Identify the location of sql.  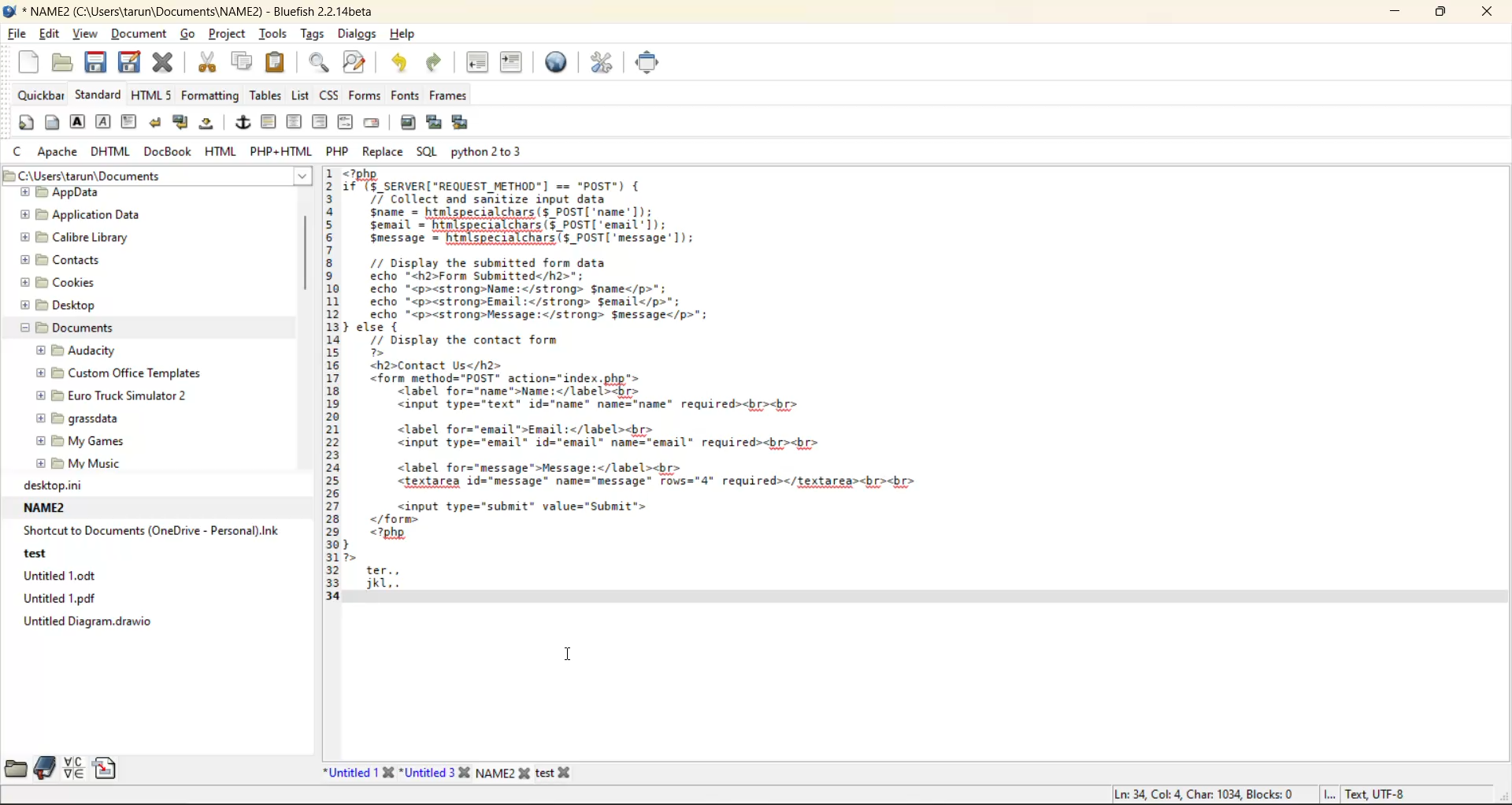
(425, 154).